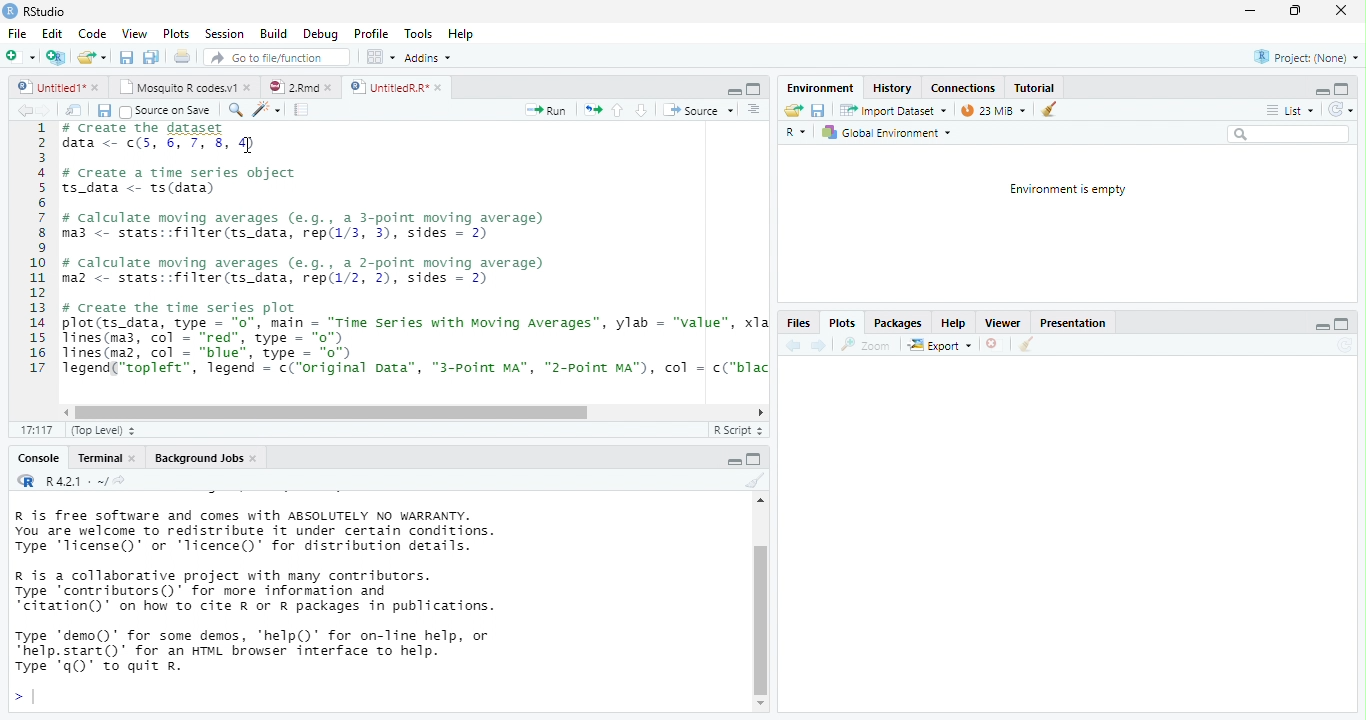 Image resolution: width=1366 pixels, height=720 pixels. What do you see at coordinates (63, 412) in the screenshot?
I see `scrollbar left` at bounding box center [63, 412].